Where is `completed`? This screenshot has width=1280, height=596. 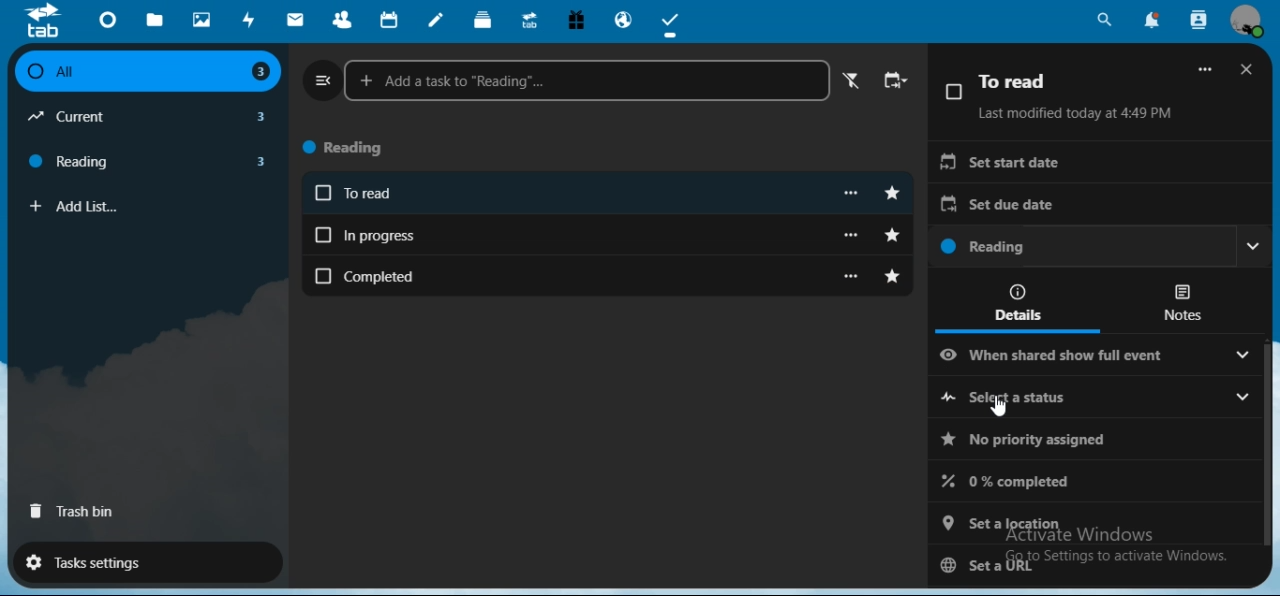 completed is located at coordinates (586, 275).